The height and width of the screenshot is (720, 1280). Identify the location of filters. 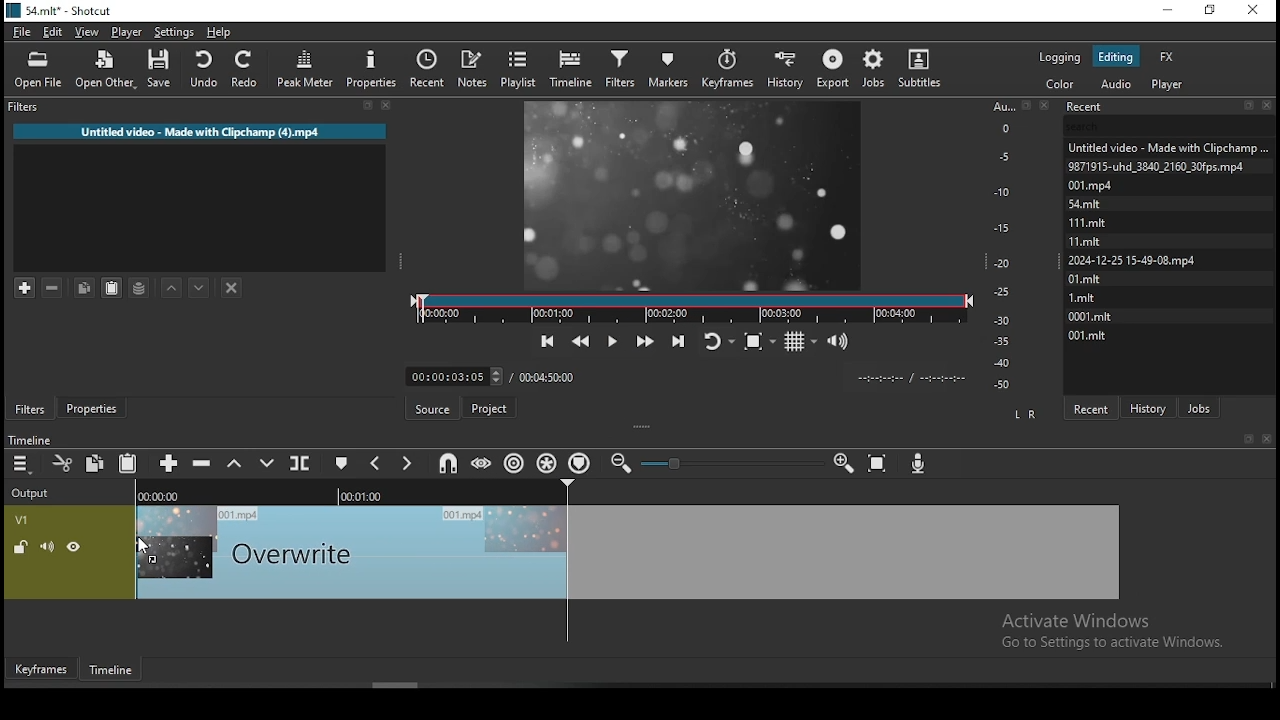
(28, 409).